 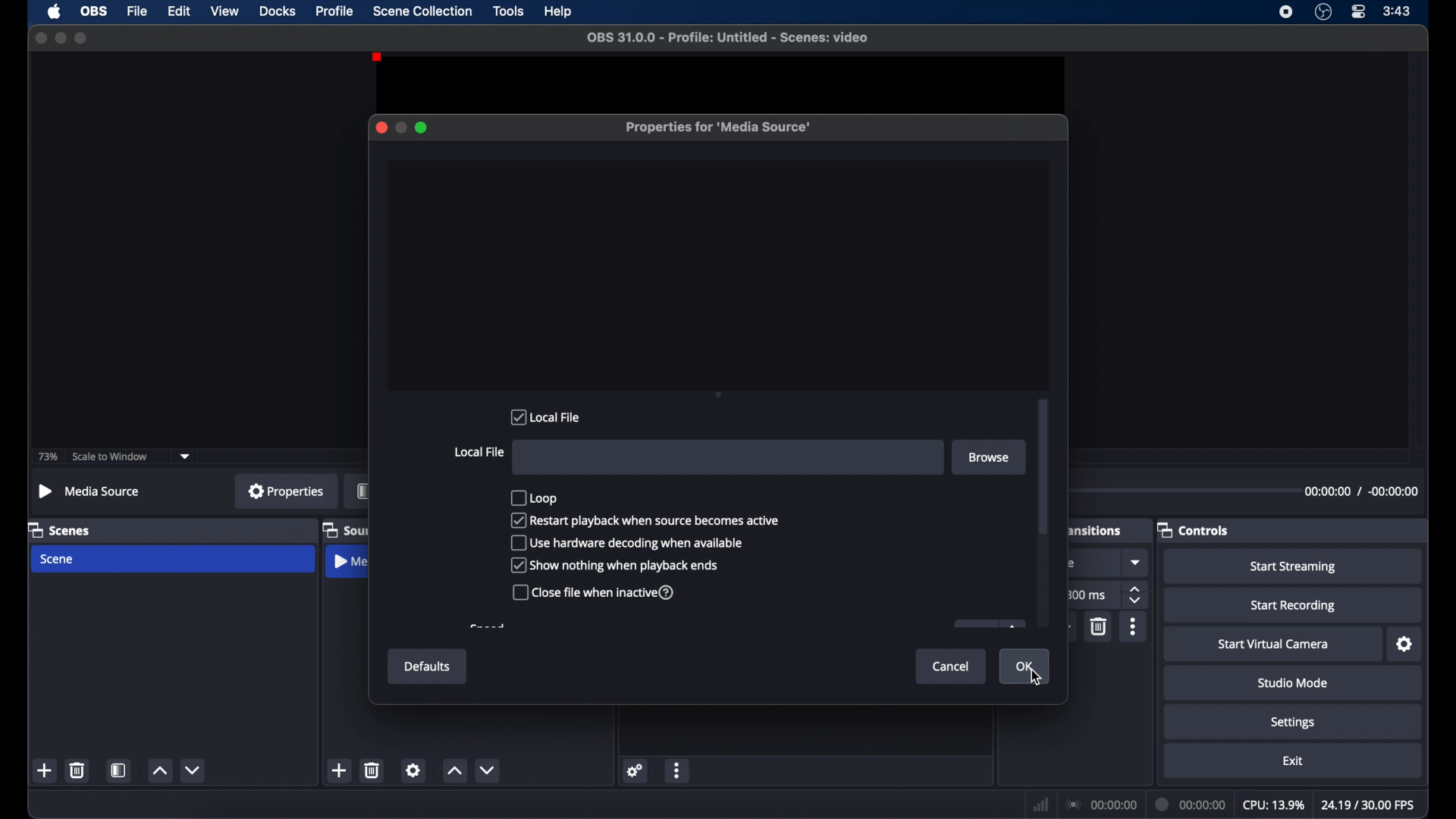 I want to click on settings, so click(x=413, y=770).